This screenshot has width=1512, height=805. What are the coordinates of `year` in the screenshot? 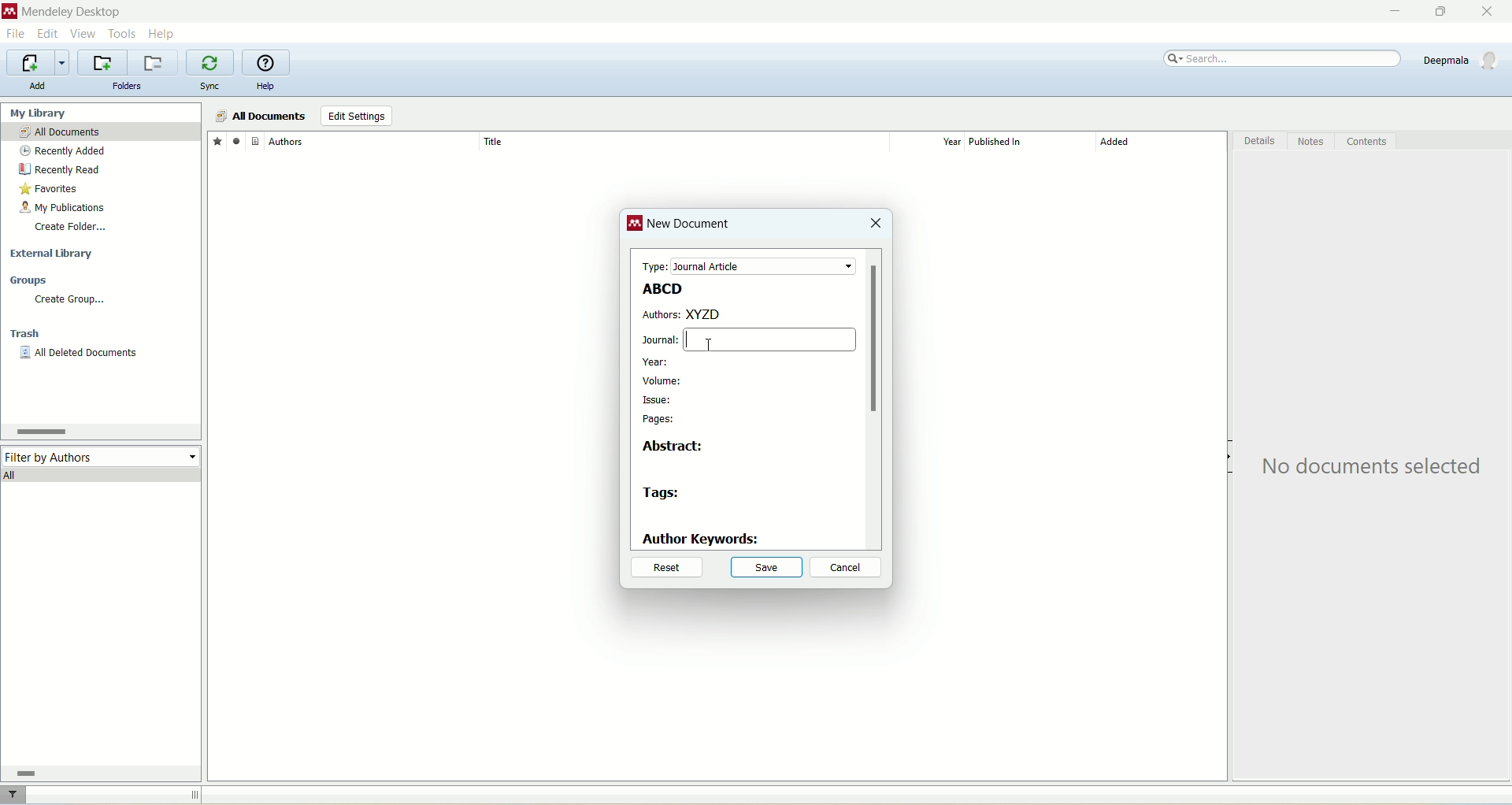 It's located at (655, 363).